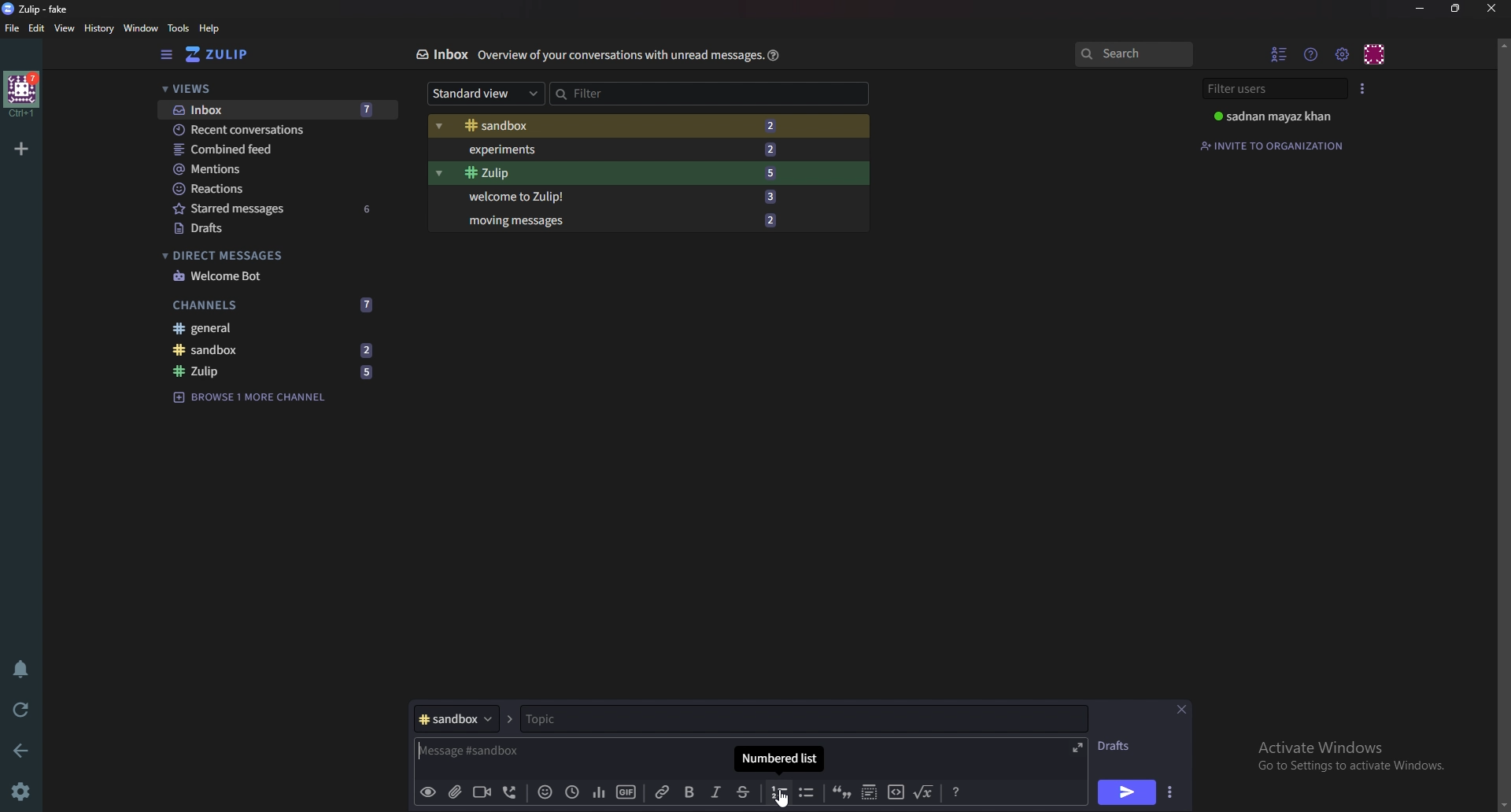  What do you see at coordinates (1275, 144) in the screenshot?
I see `Invite to organization` at bounding box center [1275, 144].